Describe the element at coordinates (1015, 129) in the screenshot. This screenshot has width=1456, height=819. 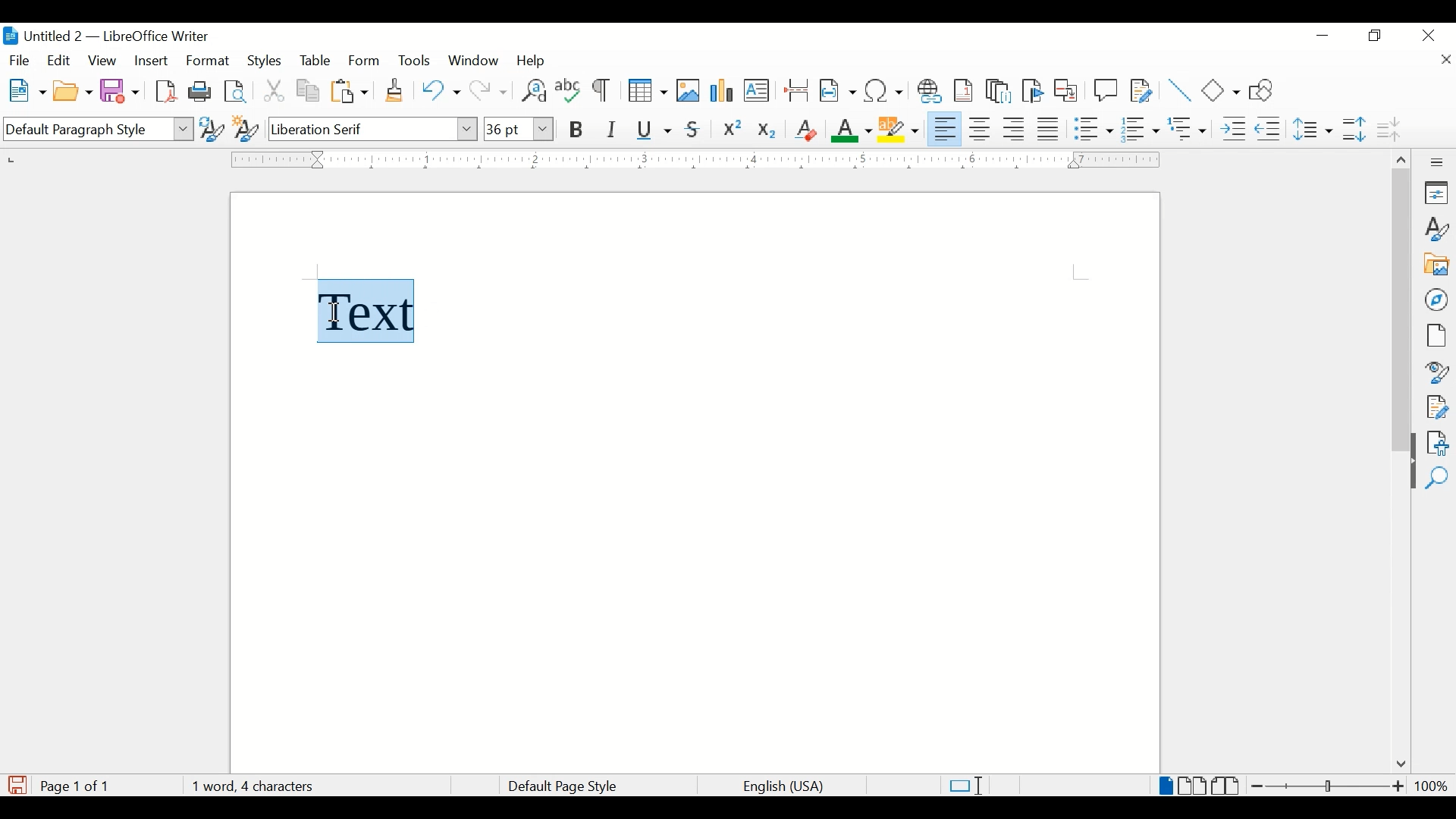
I see `align right` at that location.